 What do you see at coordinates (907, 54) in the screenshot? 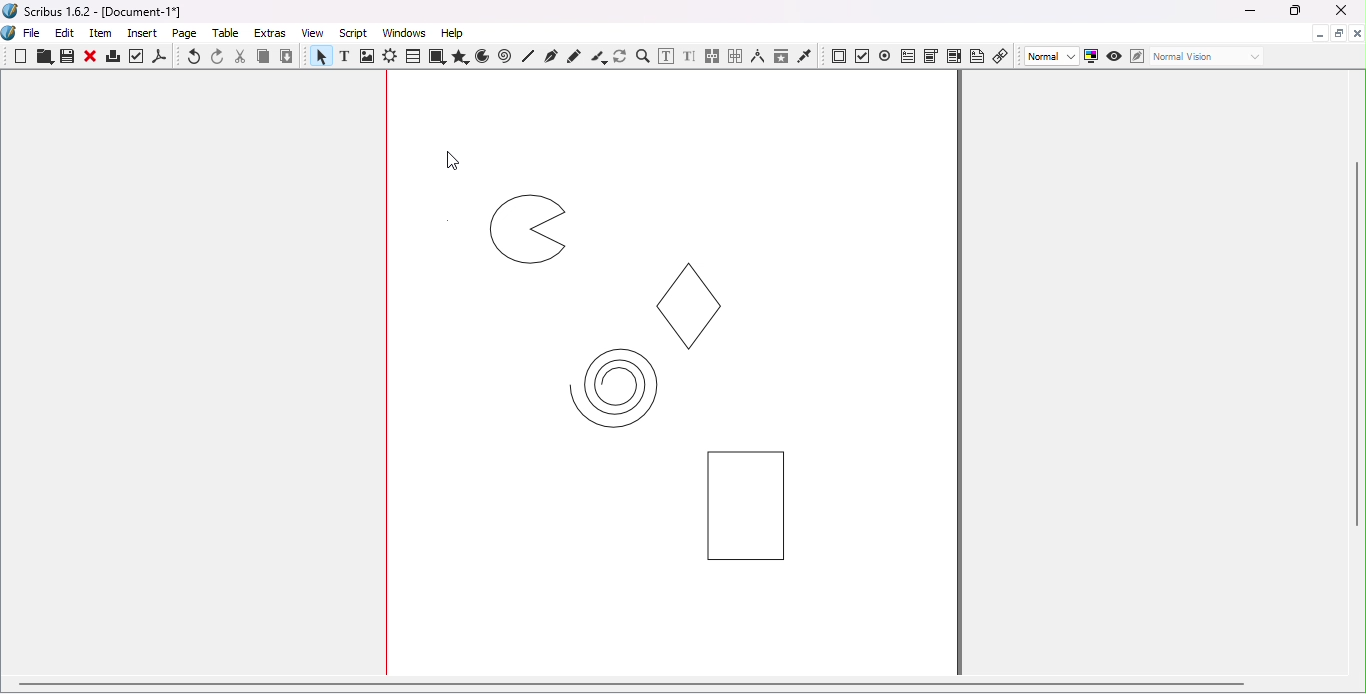
I see `PDF text field` at bounding box center [907, 54].